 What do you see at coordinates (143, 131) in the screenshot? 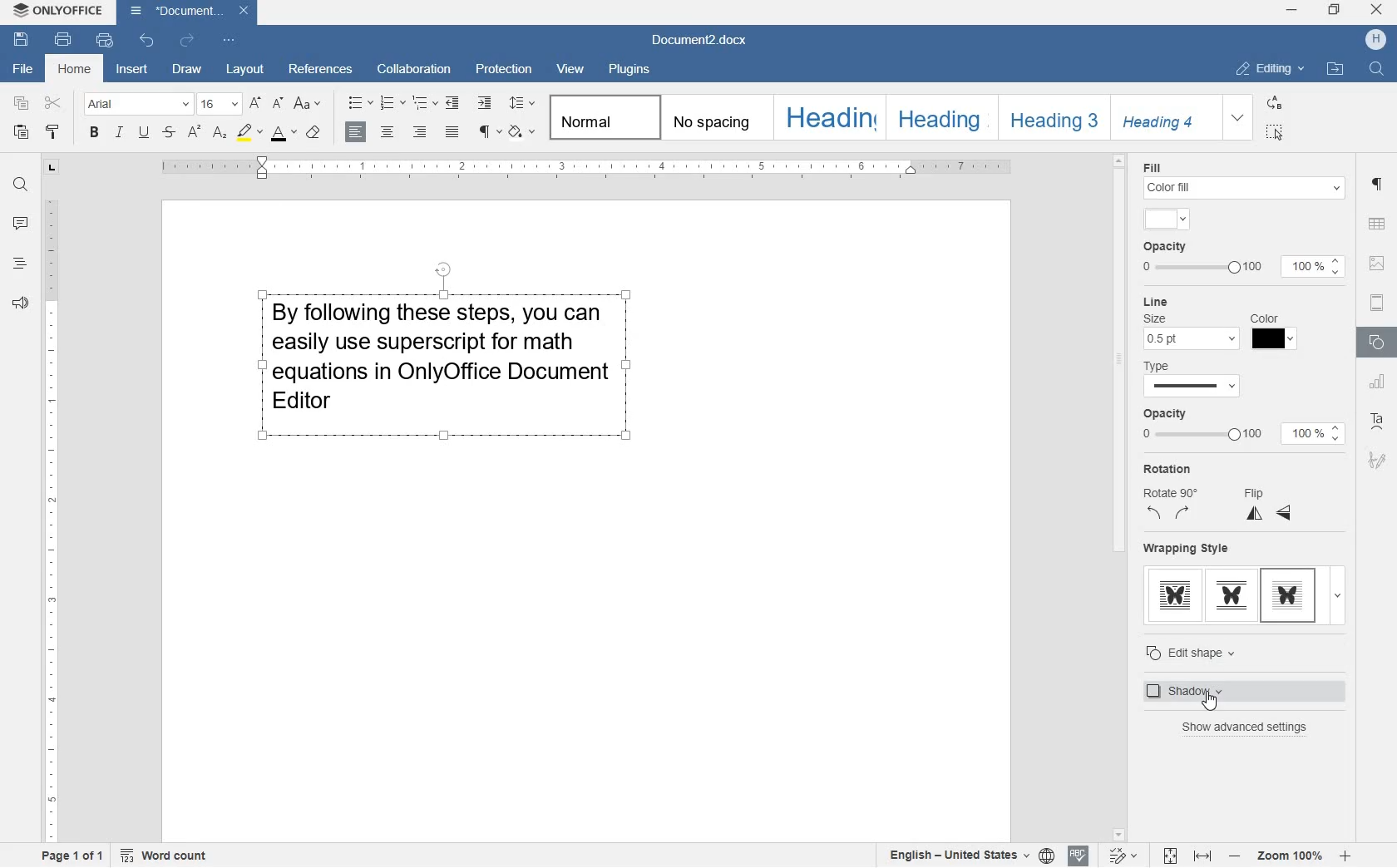
I see `underline` at bounding box center [143, 131].